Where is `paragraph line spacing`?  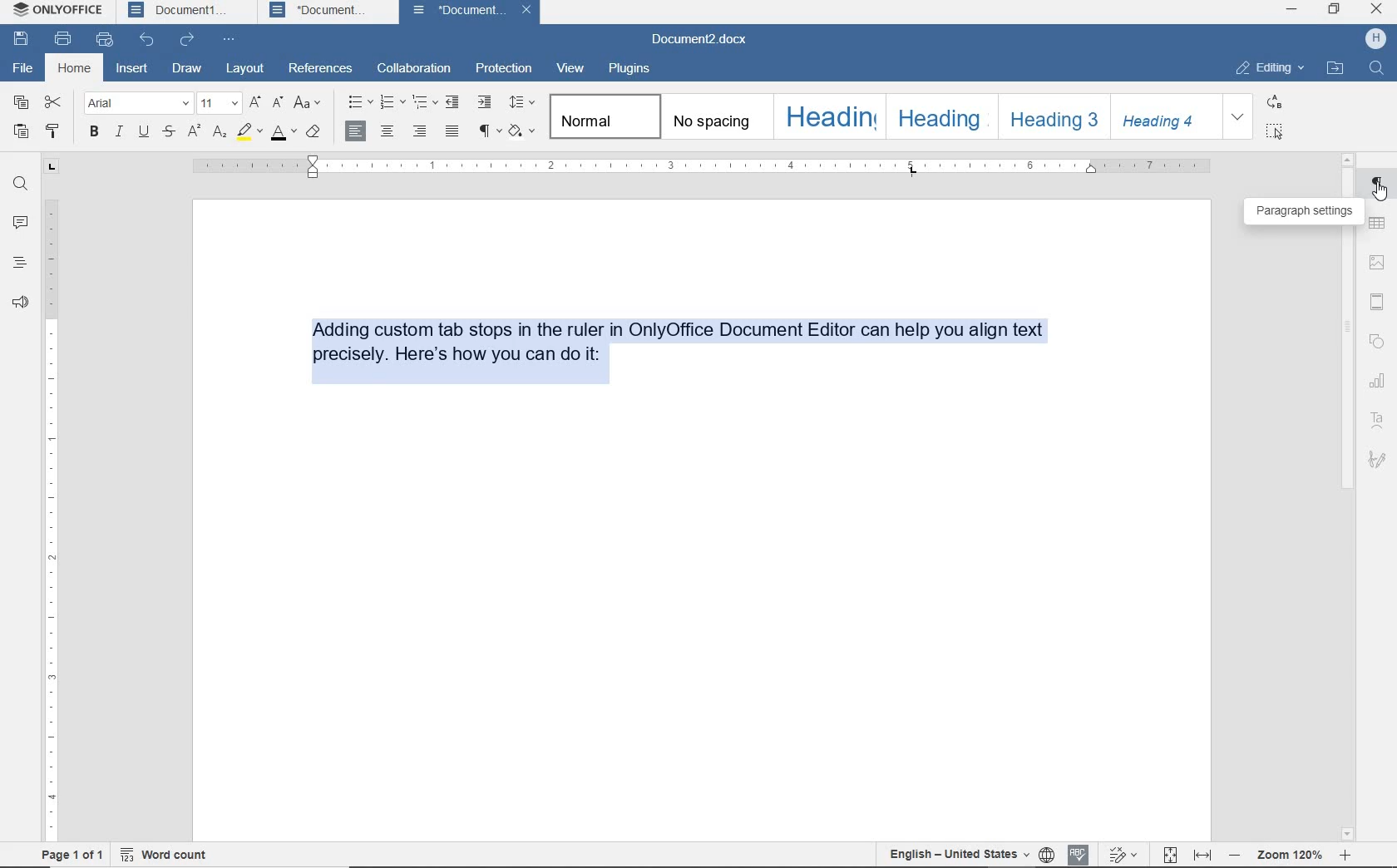
paragraph line spacing is located at coordinates (522, 101).